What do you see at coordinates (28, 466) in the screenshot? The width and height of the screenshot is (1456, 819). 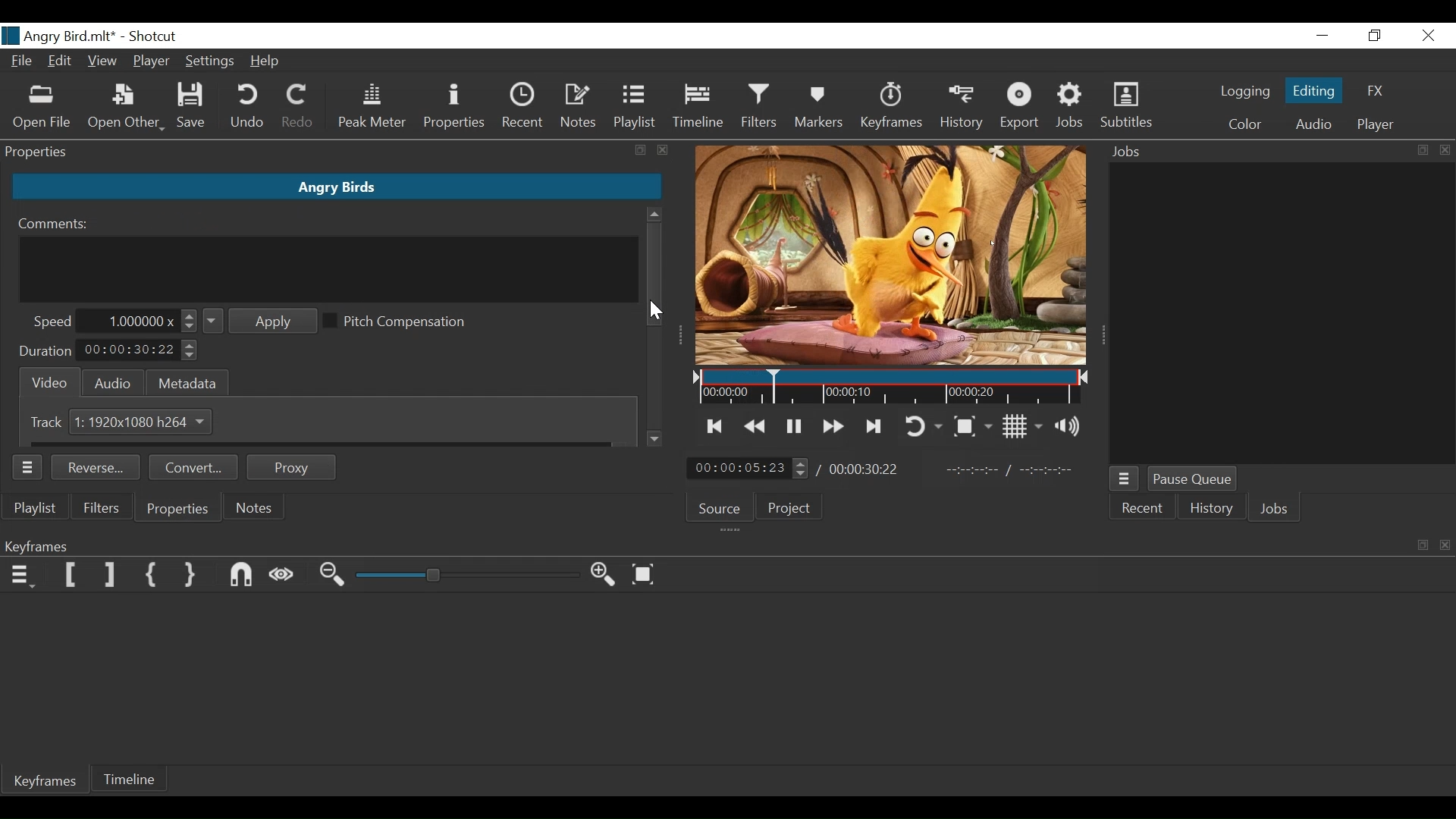 I see `Properties Panel` at bounding box center [28, 466].